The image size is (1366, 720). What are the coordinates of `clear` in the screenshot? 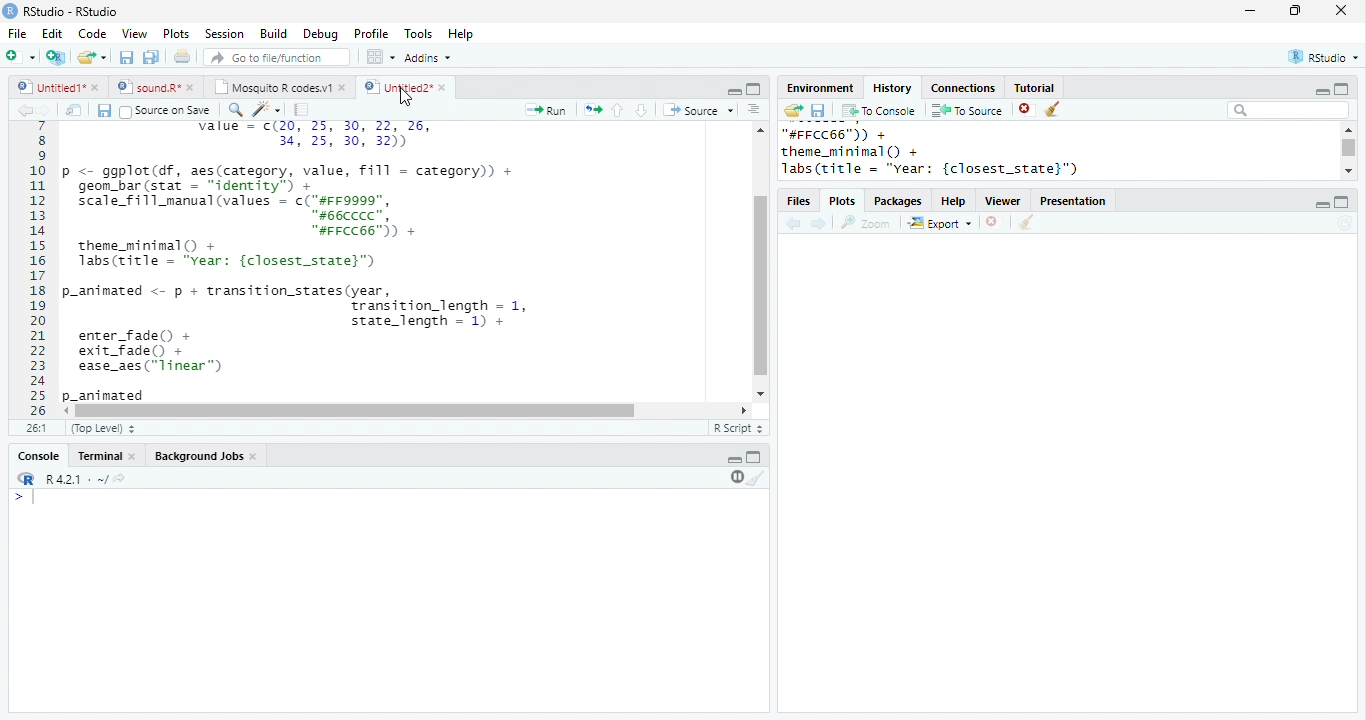 It's located at (756, 478).